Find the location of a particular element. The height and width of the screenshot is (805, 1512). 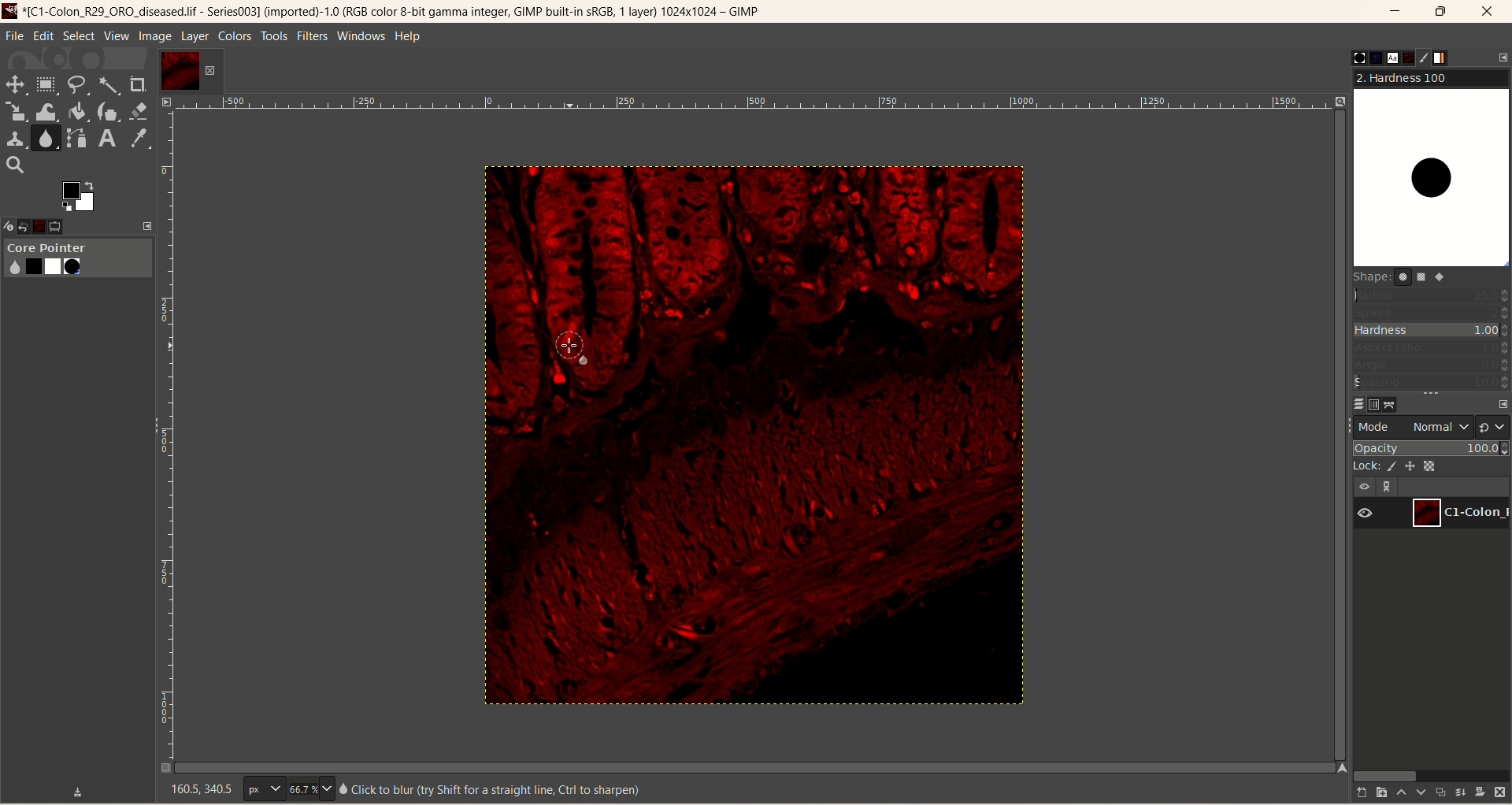

core pointer is located at coordinates (77, 259).